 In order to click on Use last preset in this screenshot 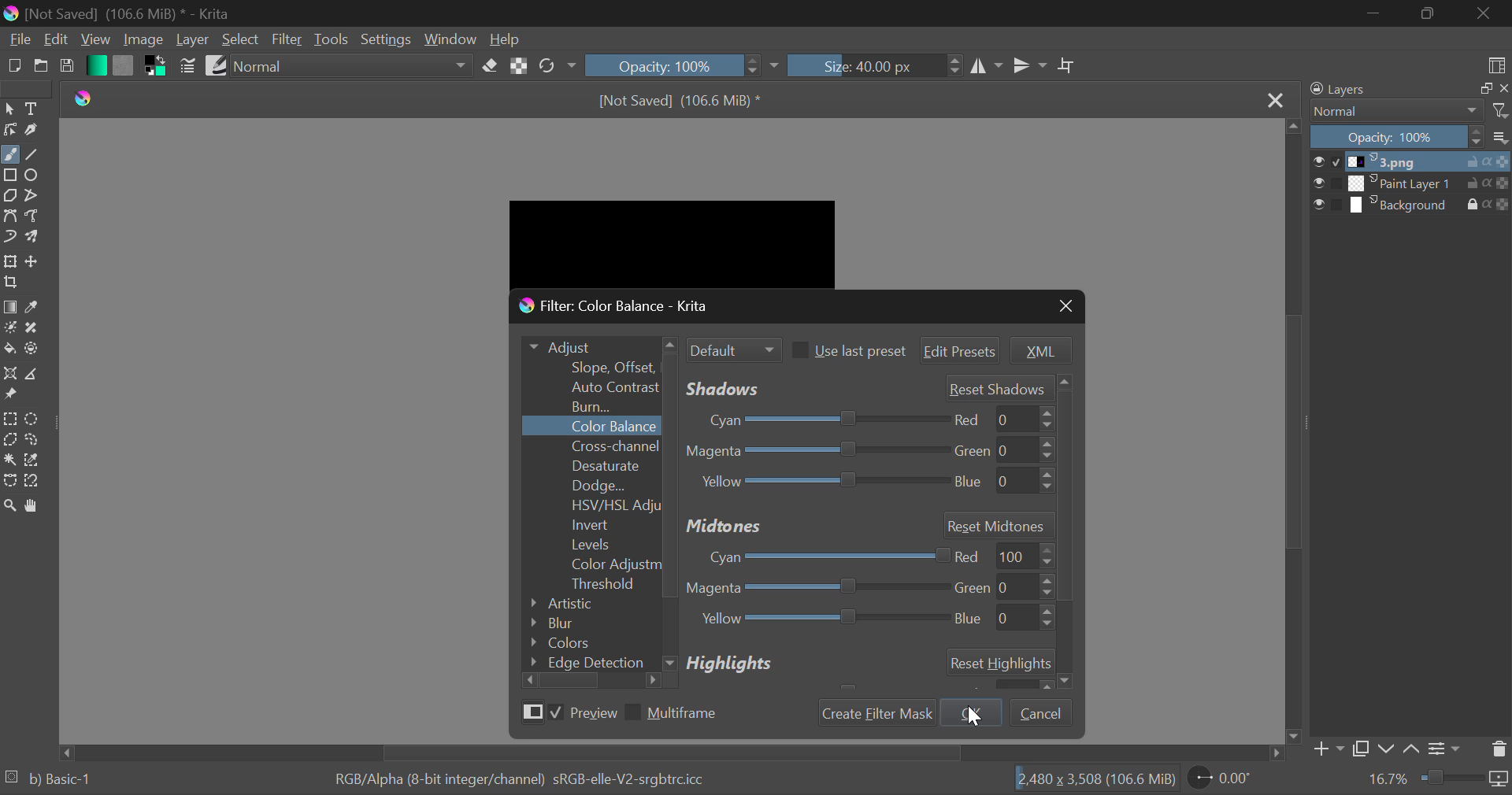, I will do `click(847, 350)`.